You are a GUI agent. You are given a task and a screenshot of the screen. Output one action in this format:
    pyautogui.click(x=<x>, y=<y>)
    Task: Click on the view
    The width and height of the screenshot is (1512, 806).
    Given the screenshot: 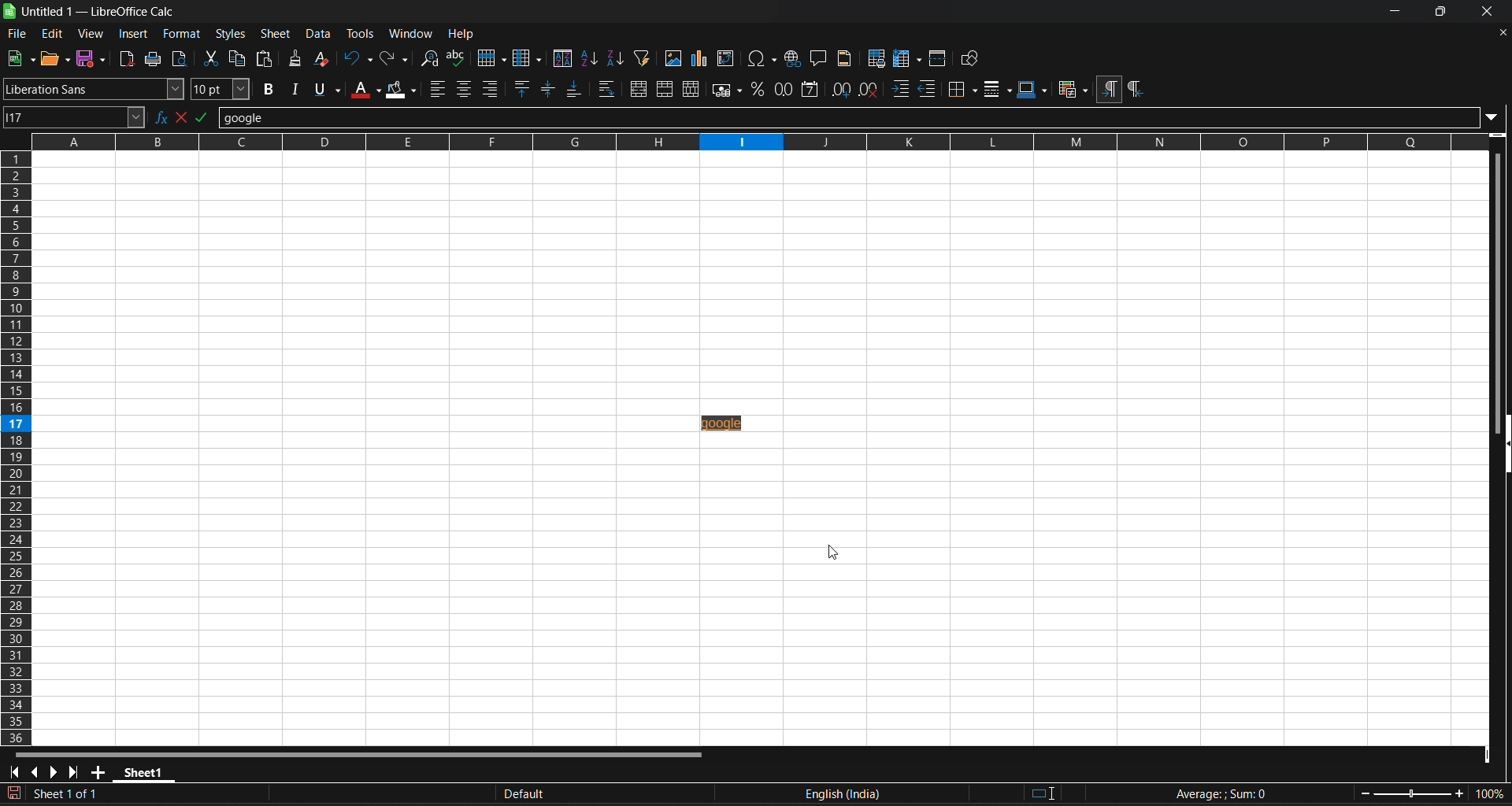 What is the action you would take?
    pyautogui.click(x=91, y=33)
    